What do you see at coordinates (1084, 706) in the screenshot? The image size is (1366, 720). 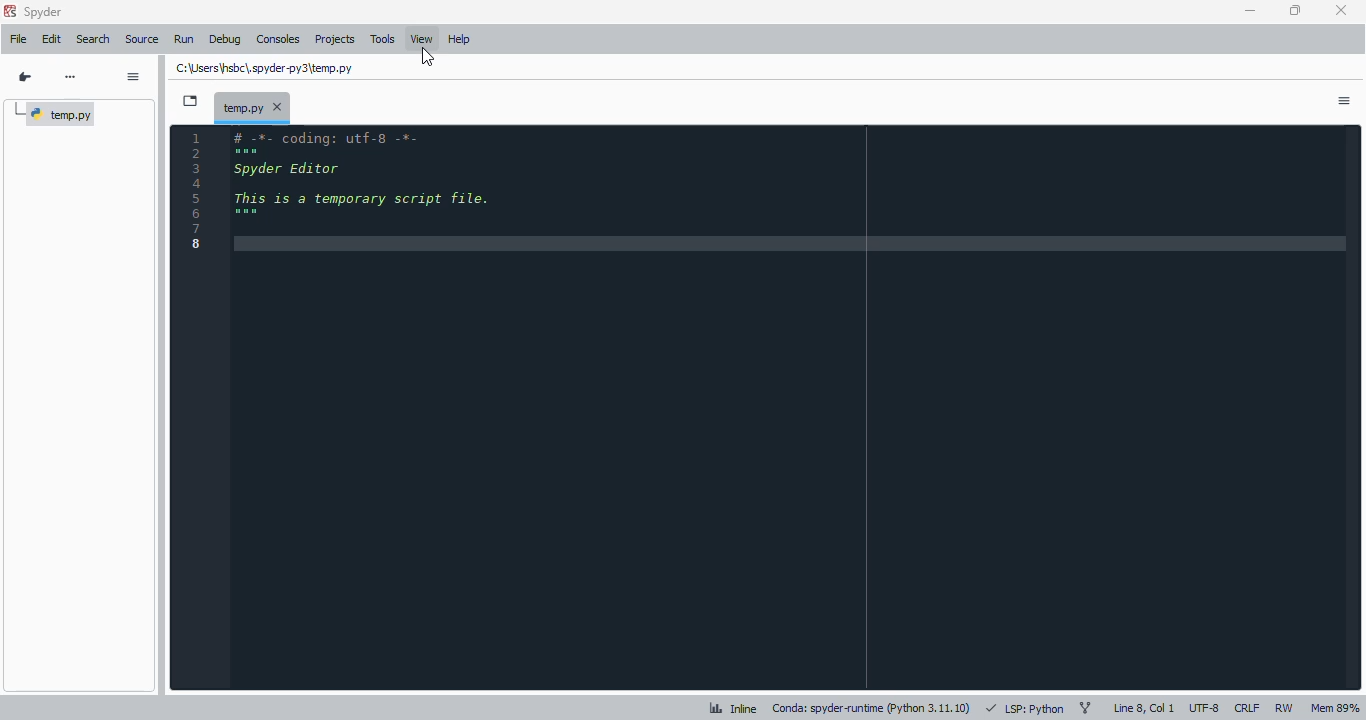 I see `git branch` at bounding box center [1084, 706].